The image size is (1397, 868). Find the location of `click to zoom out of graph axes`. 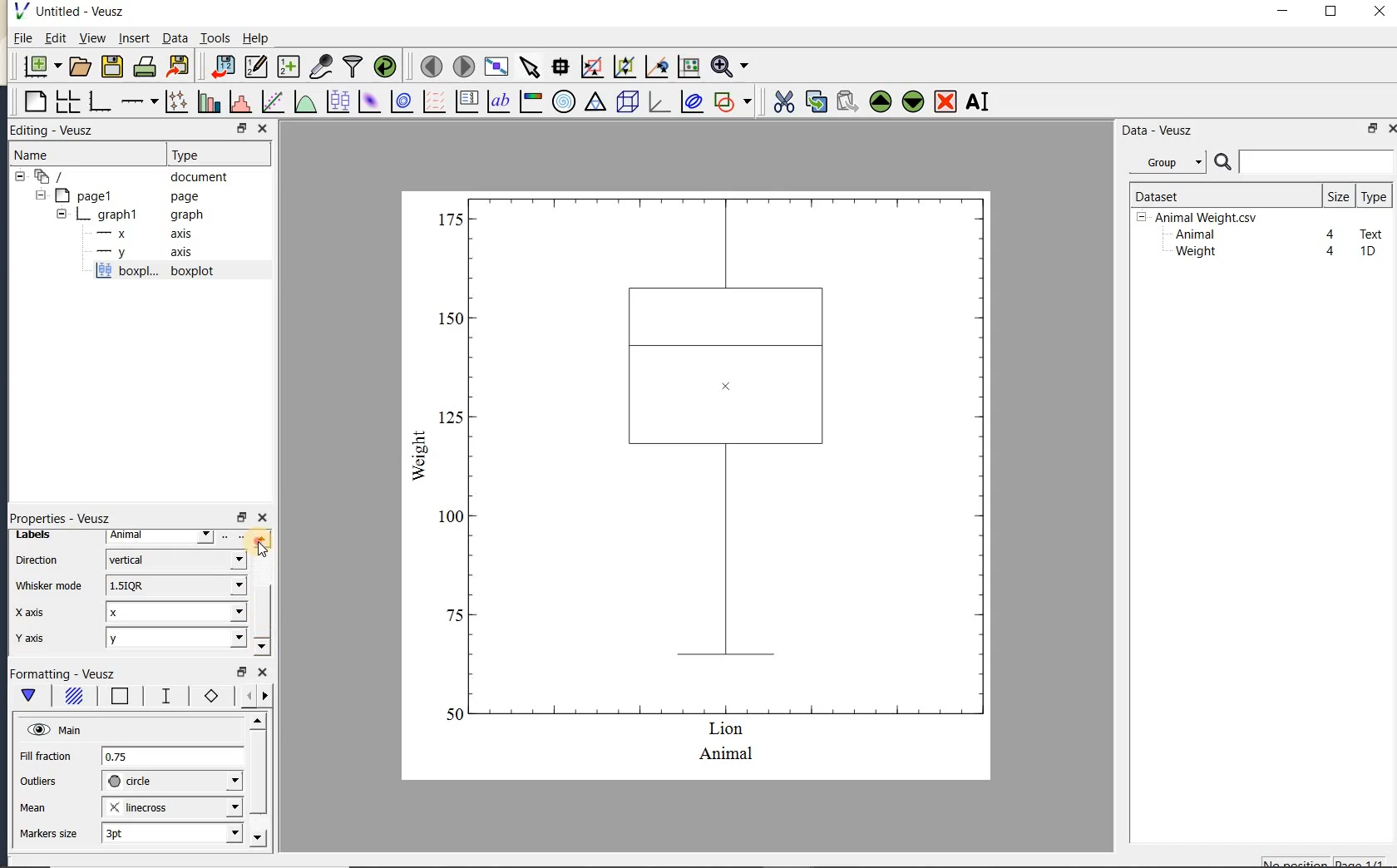

click to zoom out of graph axes is located at coordinates (625, 66).